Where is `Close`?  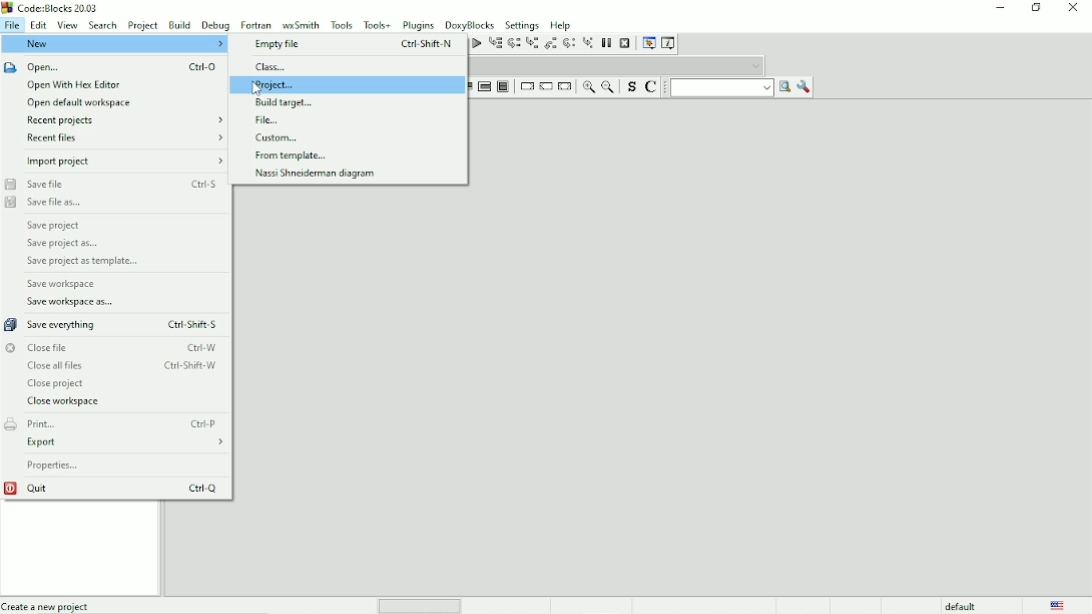
Close is located at coordinates (1074, 9).